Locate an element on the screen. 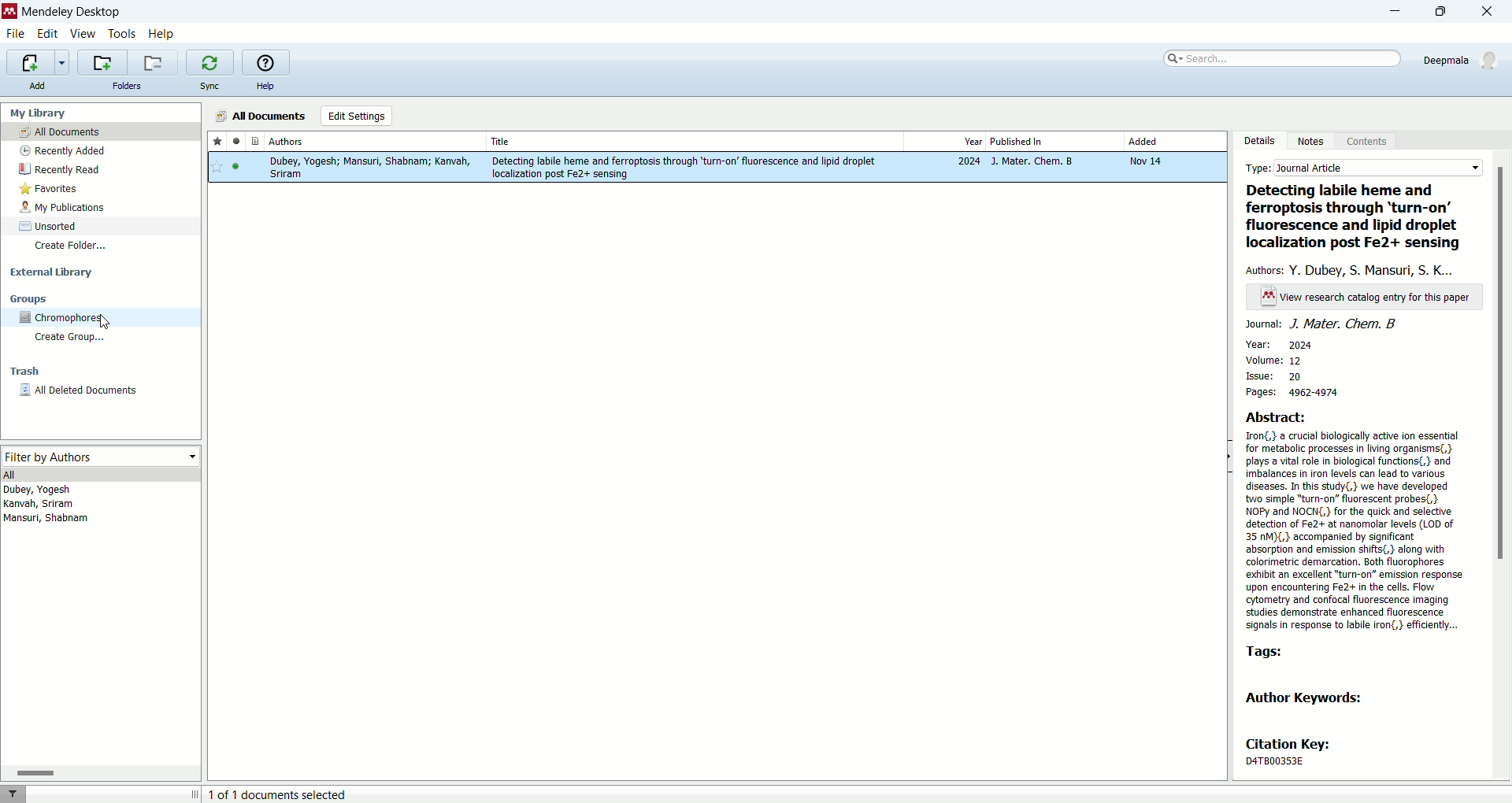 The height and width of the screenshot is (803, 1512). view is located at coordinates (83, 34).